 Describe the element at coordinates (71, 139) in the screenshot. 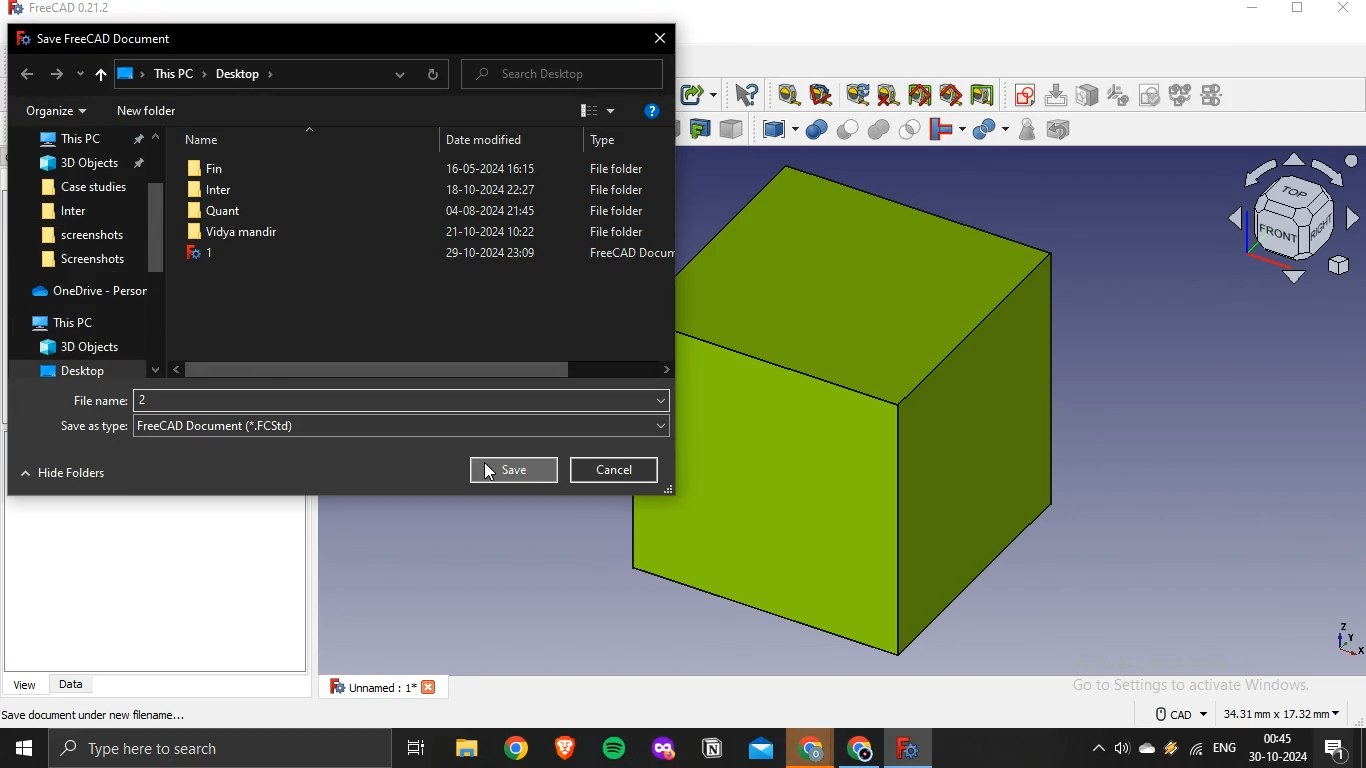

I see `this pc` at that location.